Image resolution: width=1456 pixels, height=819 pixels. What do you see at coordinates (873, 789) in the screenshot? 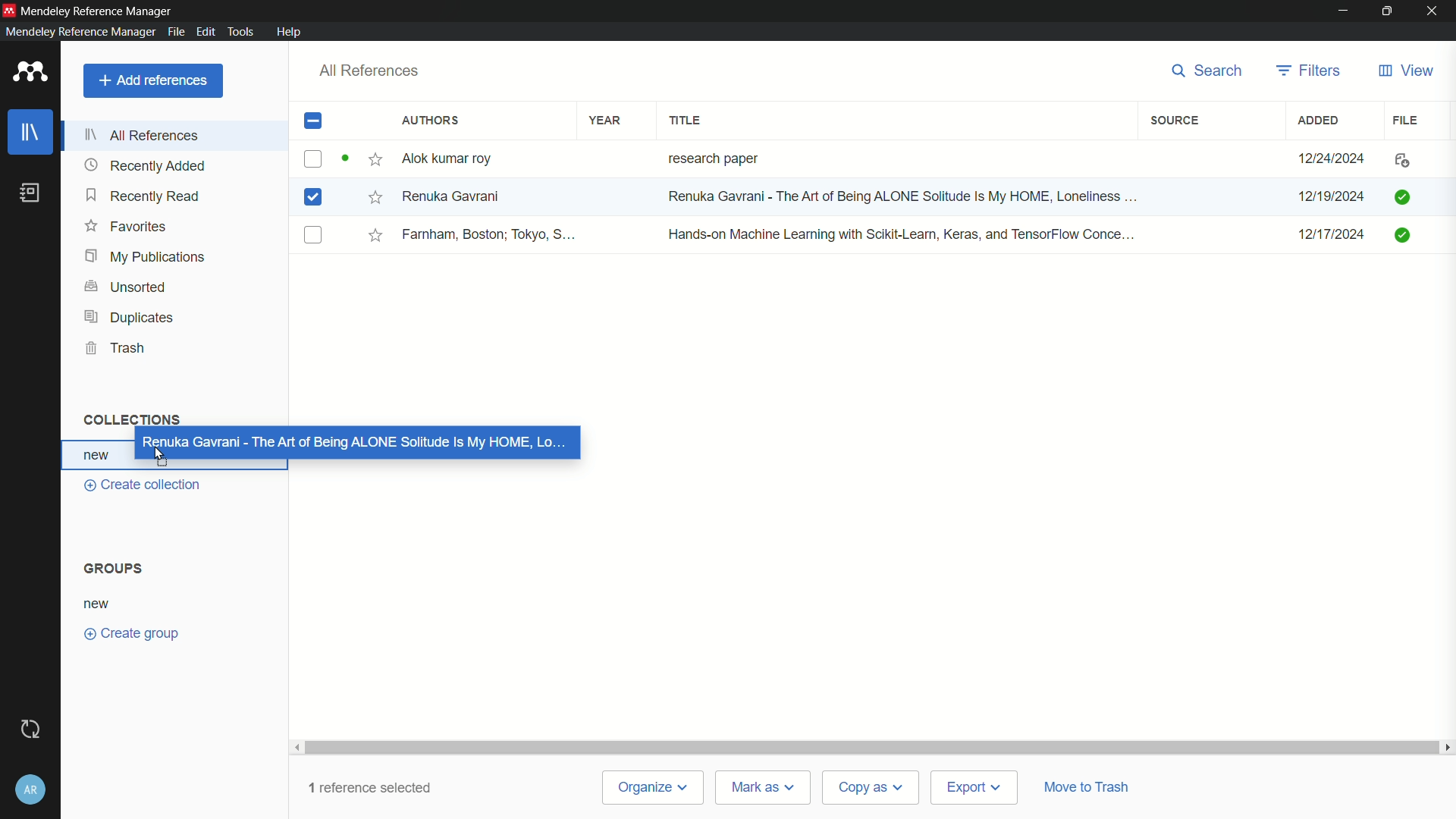
I see `copy as` at bounding box center [873, 789].